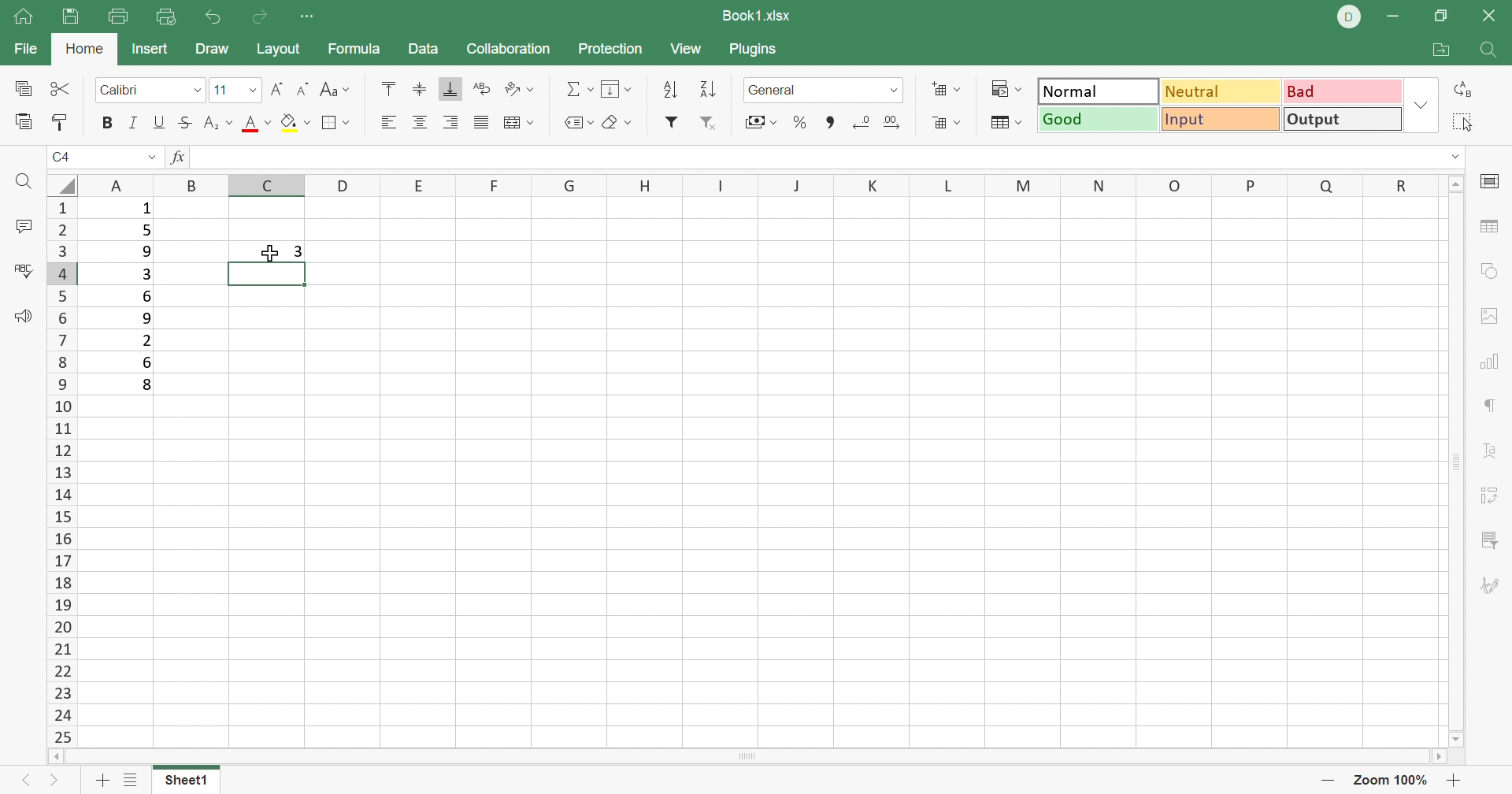 The image size is (1512, 794). What do you see at coordinates (277, 88) in the screenshot?
I see `Increment font size` at bounding box center [277, 88].